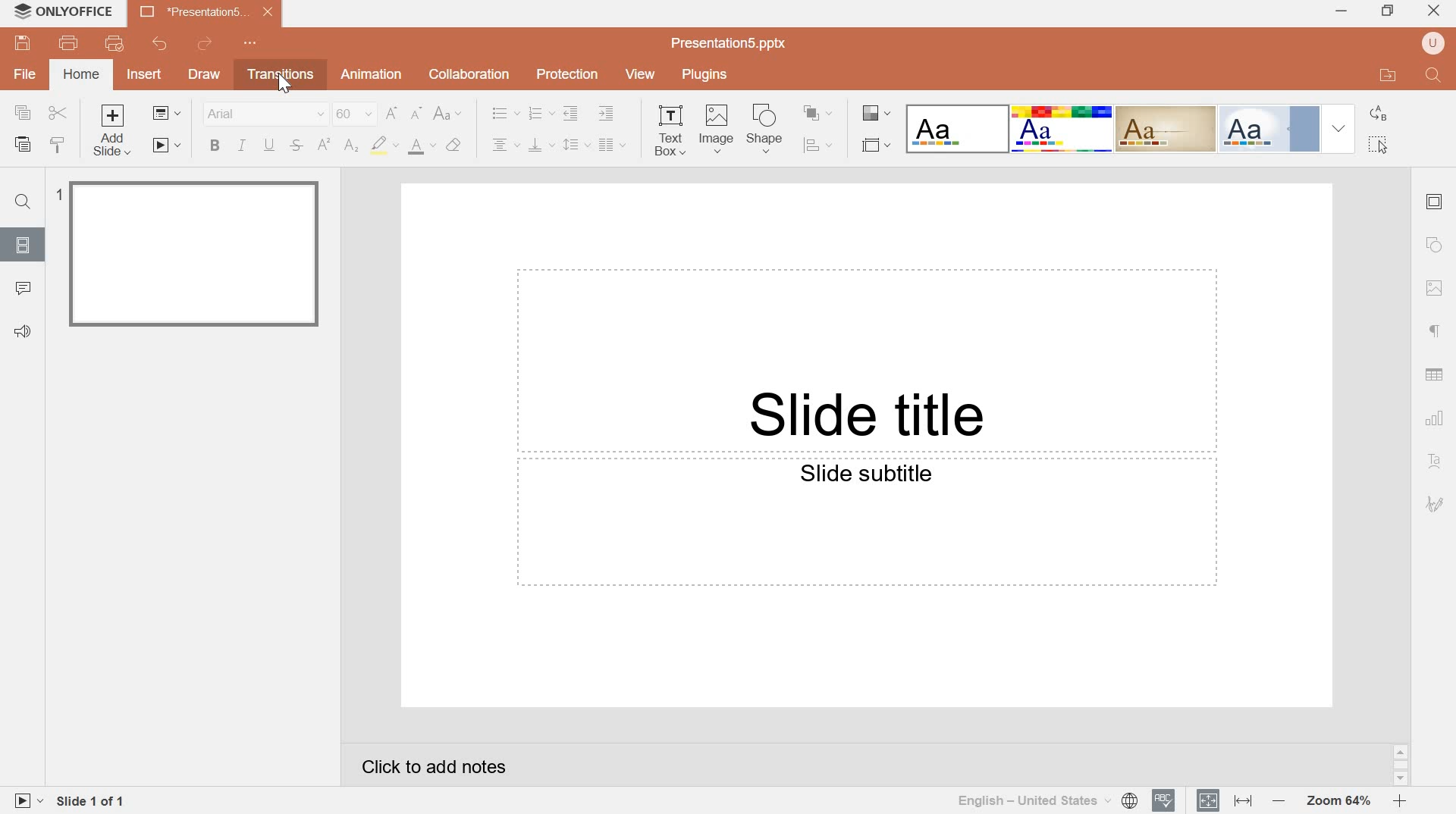 The image size is (1456, 814). Describe the element at coordinates (1342, 13) in the screenshot. I see `MINIMIZE` at that location.